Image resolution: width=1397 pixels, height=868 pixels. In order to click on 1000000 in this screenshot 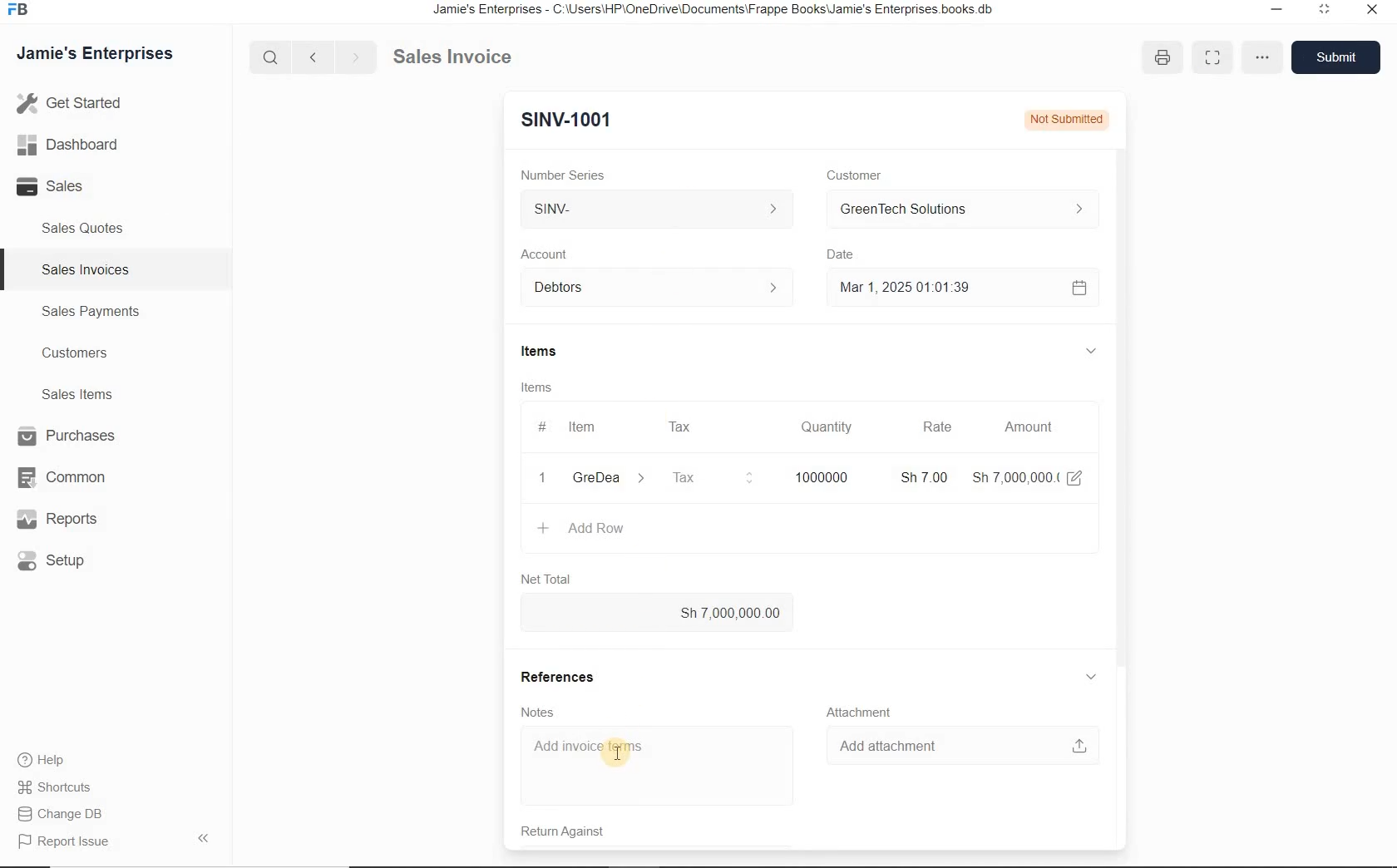, I will do `click(819, 476)`.